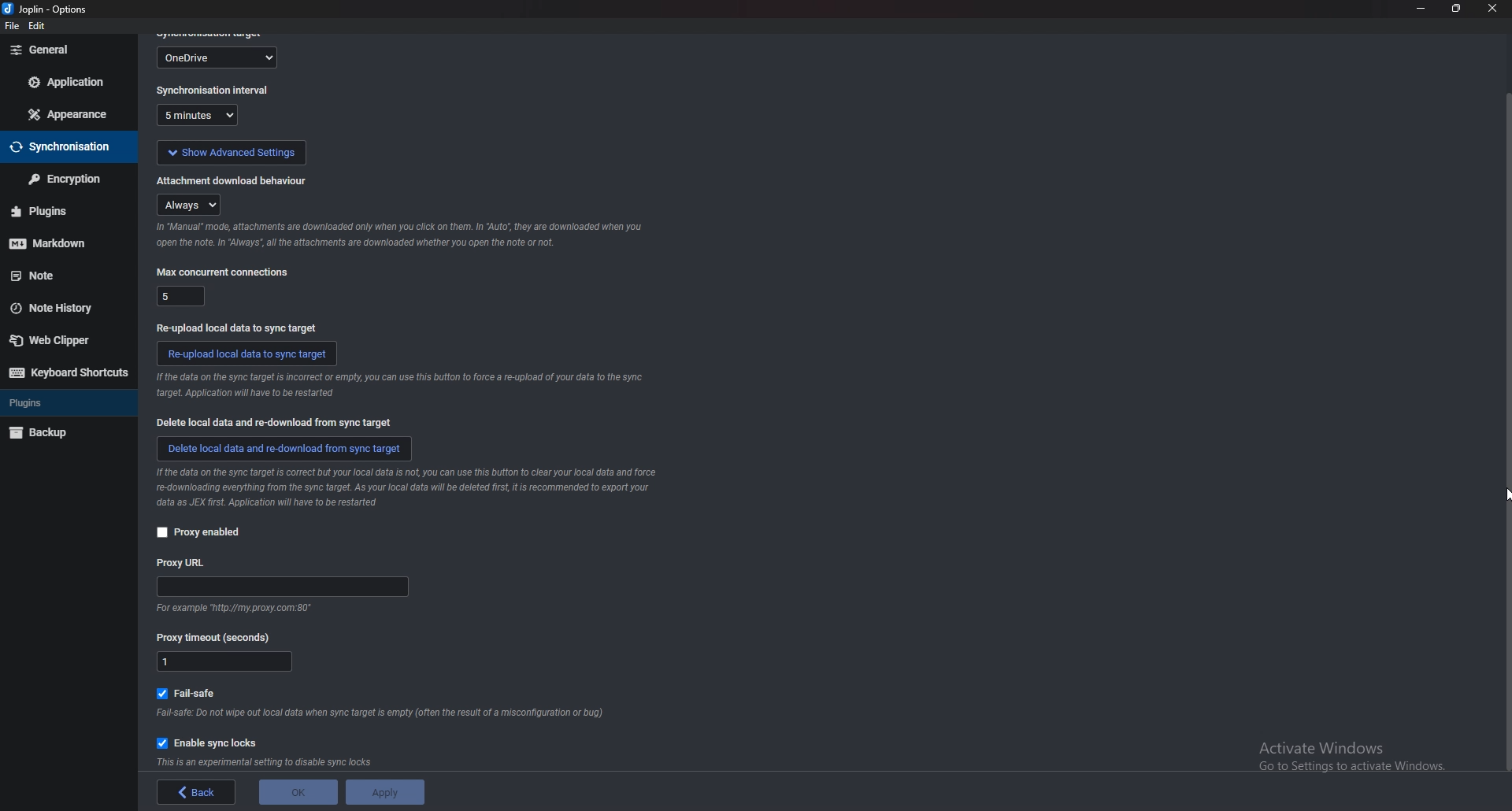 The height and width of the screenshot is (811, 1512). What do you see at coordinates (230, 150) in the screenshot?
I see `show advanced settings` at bounding box center [230, 150].